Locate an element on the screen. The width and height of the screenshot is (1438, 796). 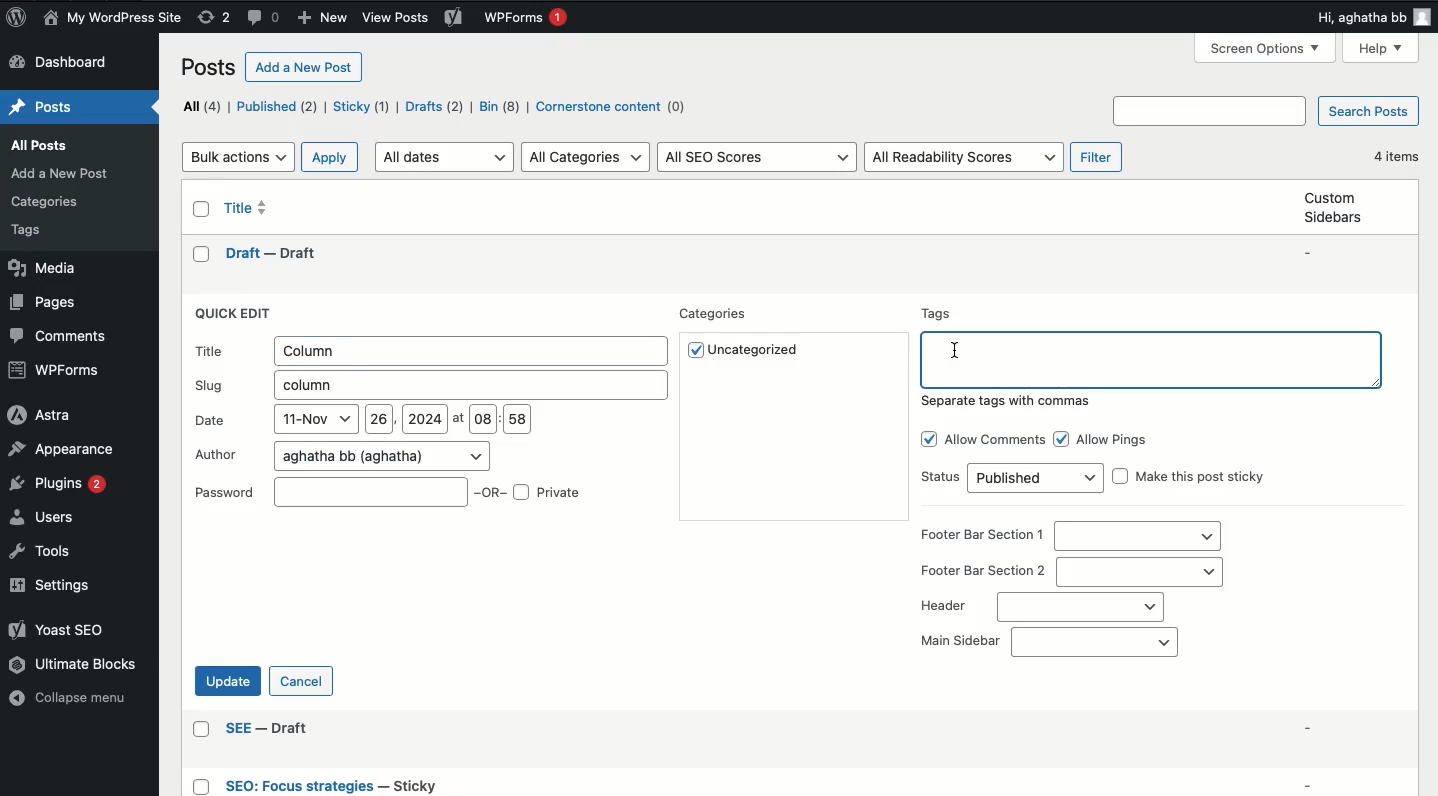
Ultimate blocks is located at coordinates (71, 668).